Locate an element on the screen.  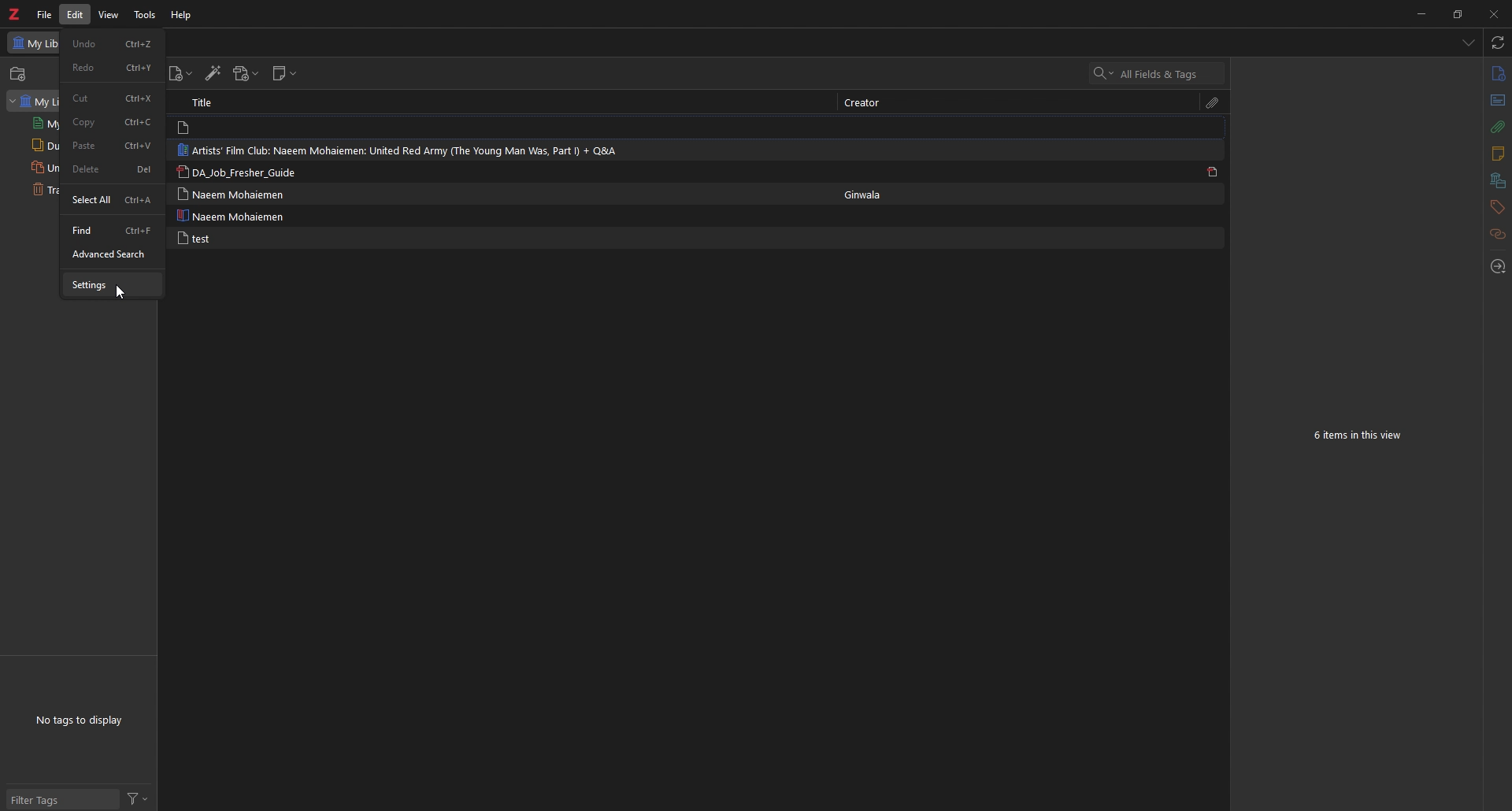
all fields and tags is located at coordinates (1158, 74).